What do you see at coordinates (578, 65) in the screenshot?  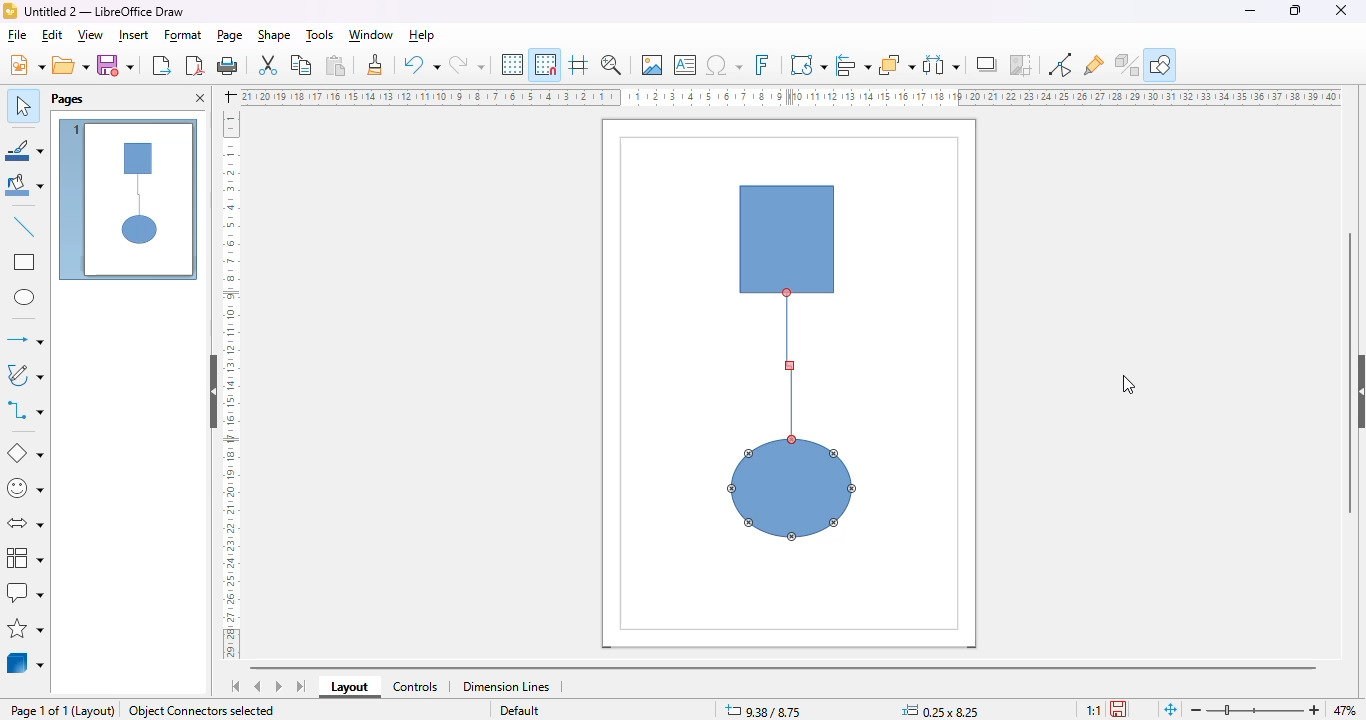 I see `helplines while moving` at bounding box center [578, 65].